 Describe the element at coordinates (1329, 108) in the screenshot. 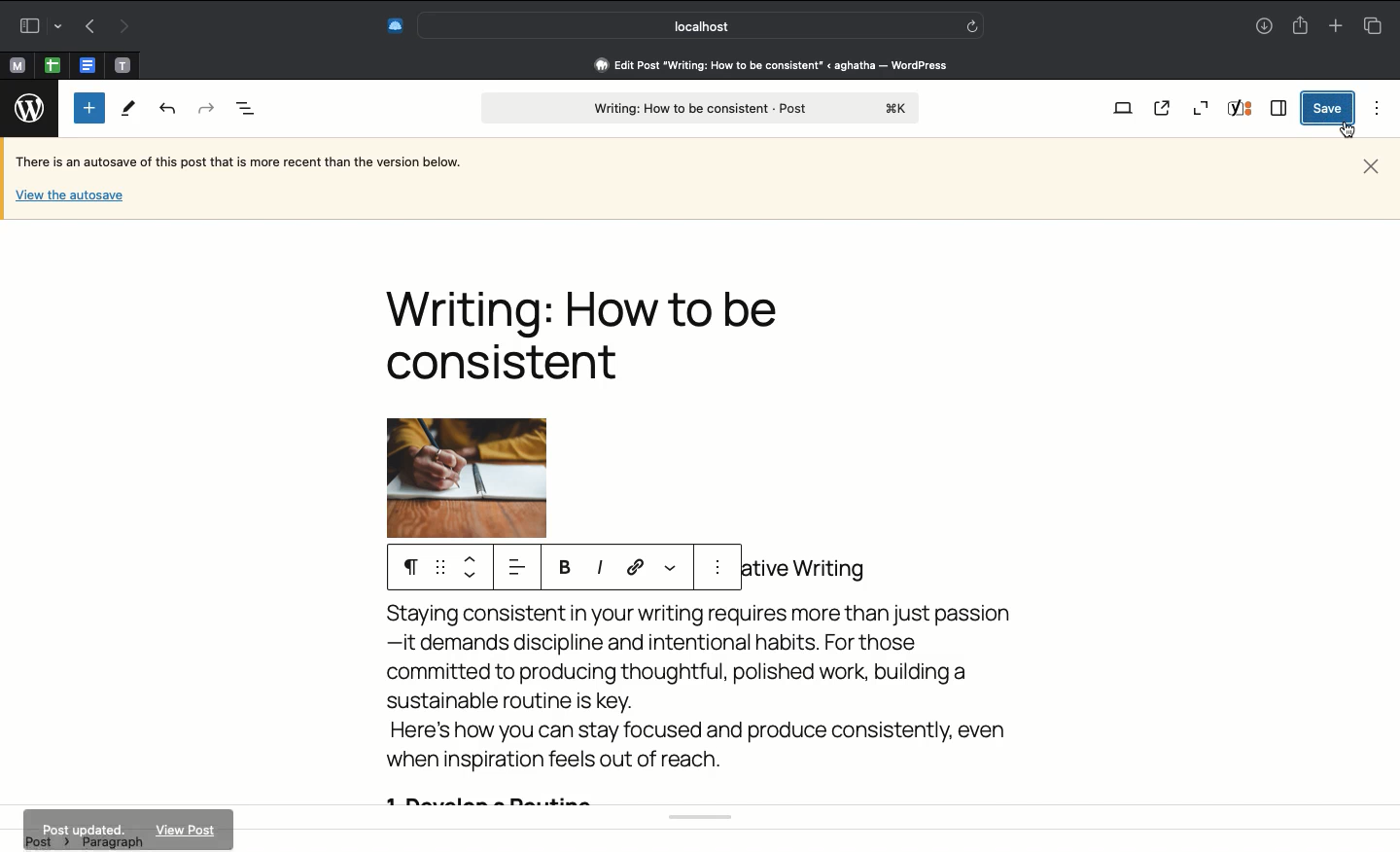

I see `Save` at that location.